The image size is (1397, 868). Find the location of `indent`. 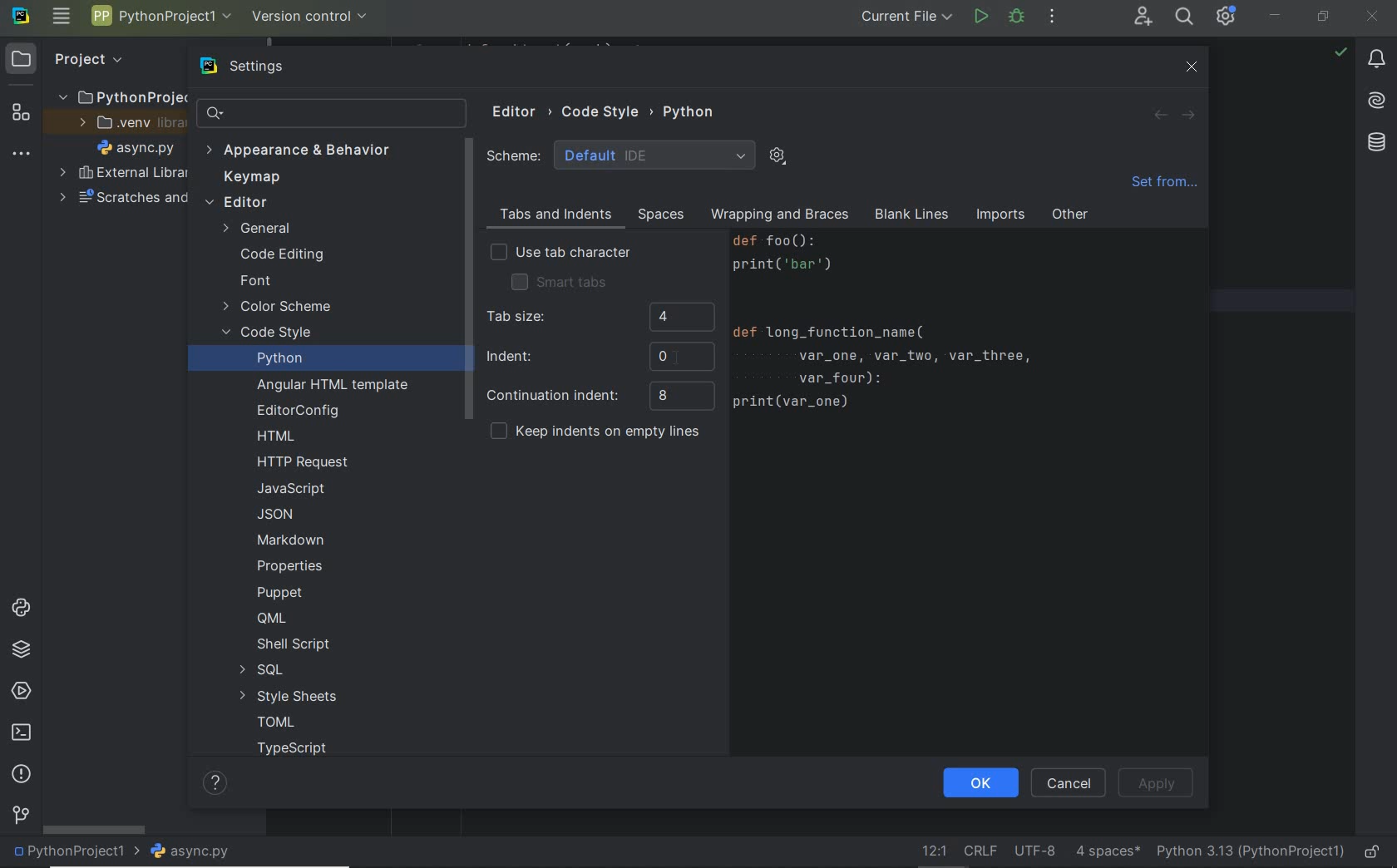

indent is located at coordinates (600, 356).